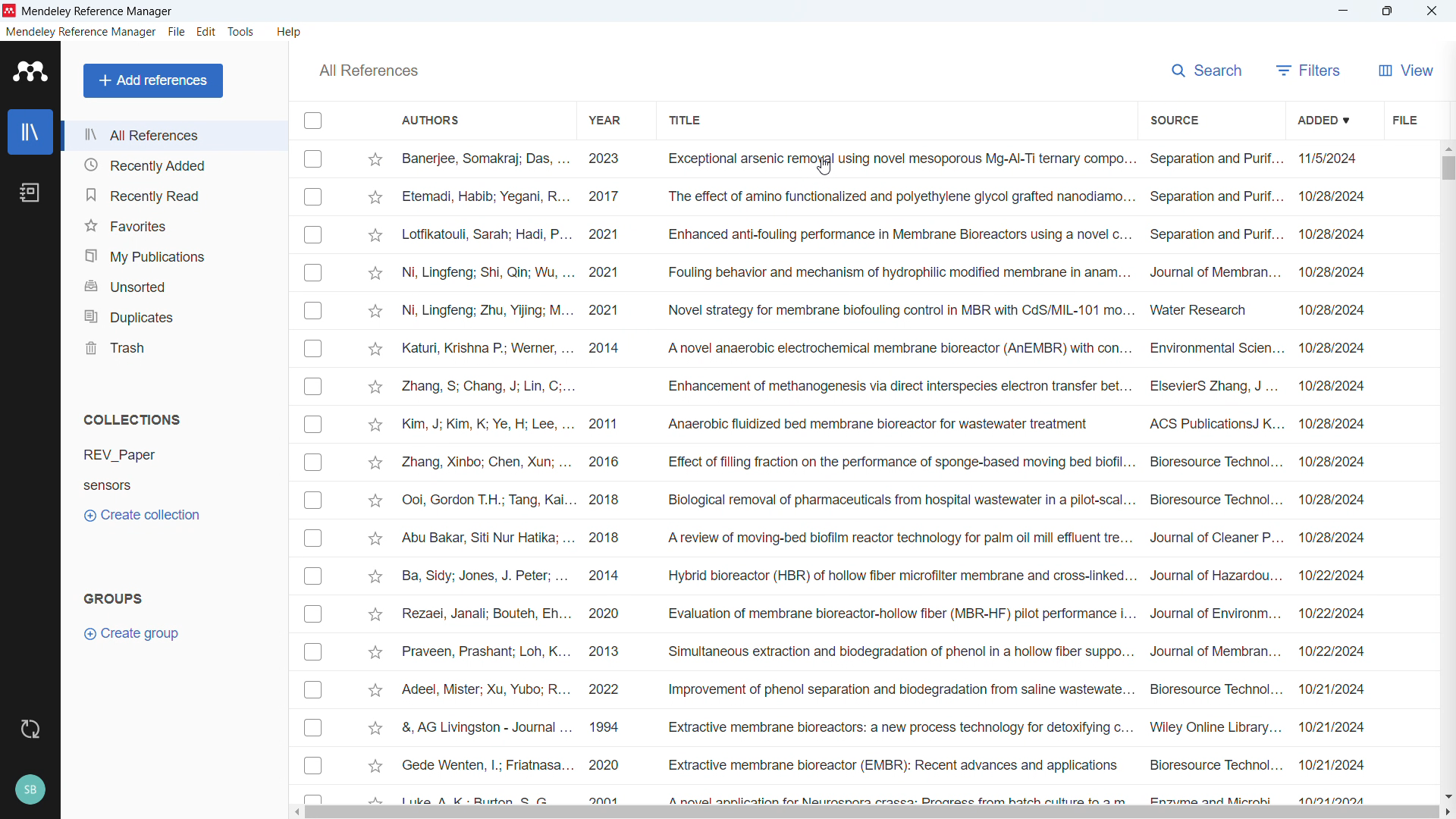 The image size is (1456, 819). Describe the element at coordinates (610, 198) in the screenshot. I see `2017` at that location.